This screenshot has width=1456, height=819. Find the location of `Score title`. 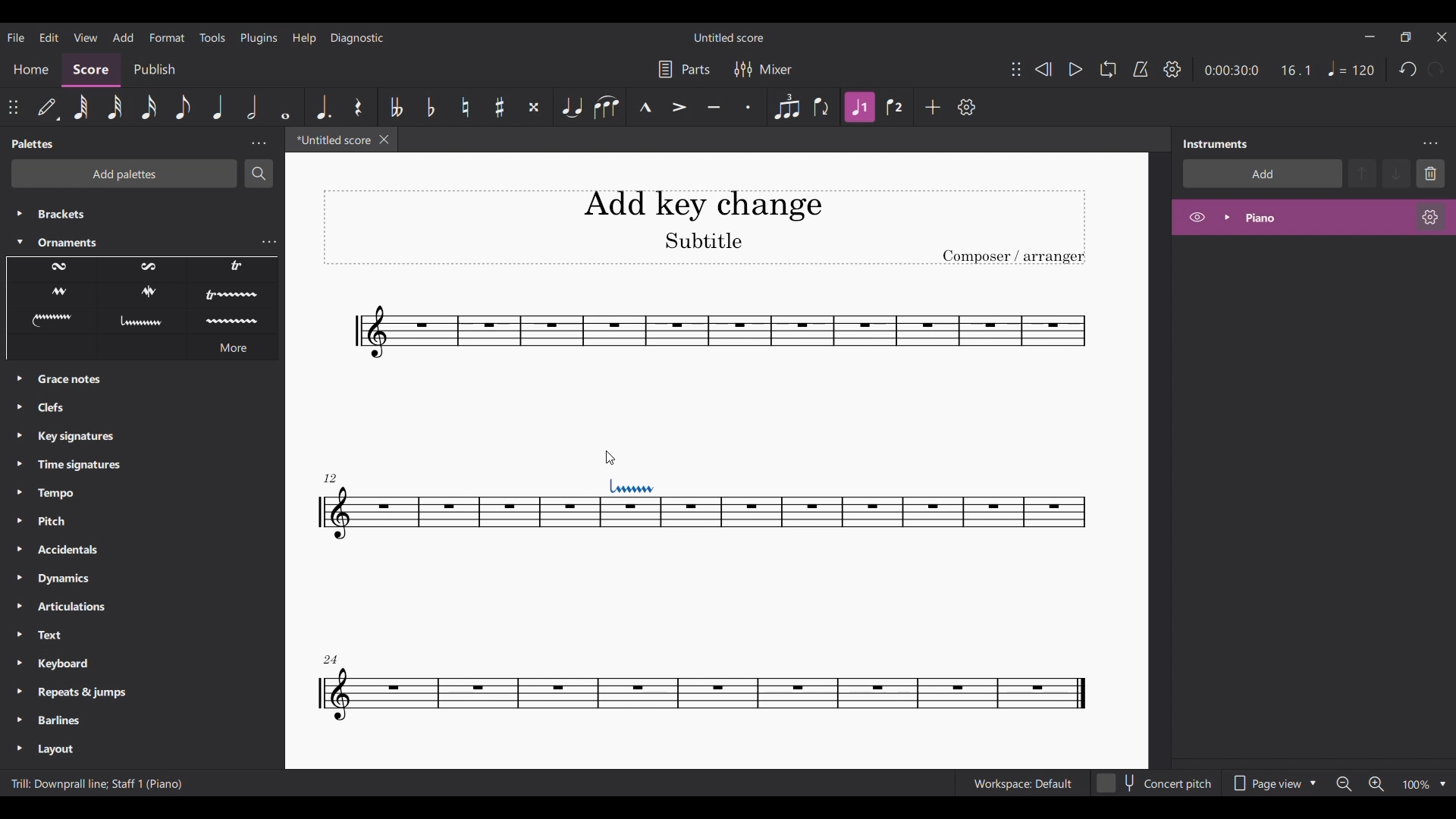

Score title is located at coordinates (728, 37).